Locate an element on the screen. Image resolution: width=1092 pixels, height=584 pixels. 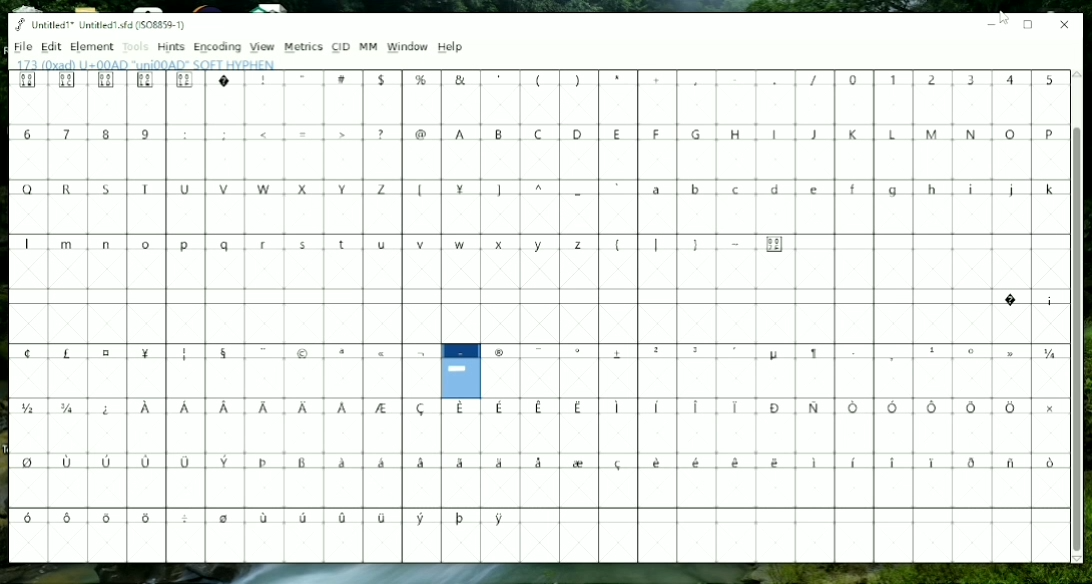
Capital Letters is located at coordinates (248, 190).